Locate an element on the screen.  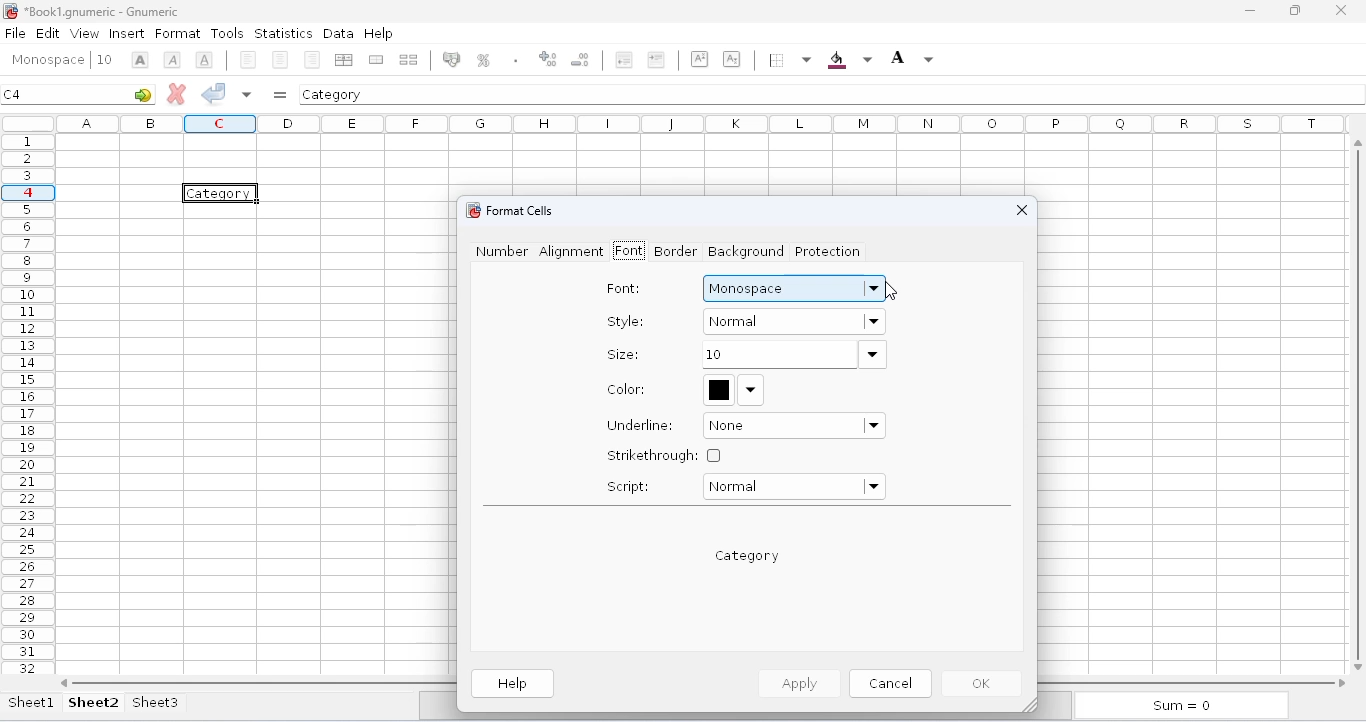
insert is located at coordinates (127, 34).